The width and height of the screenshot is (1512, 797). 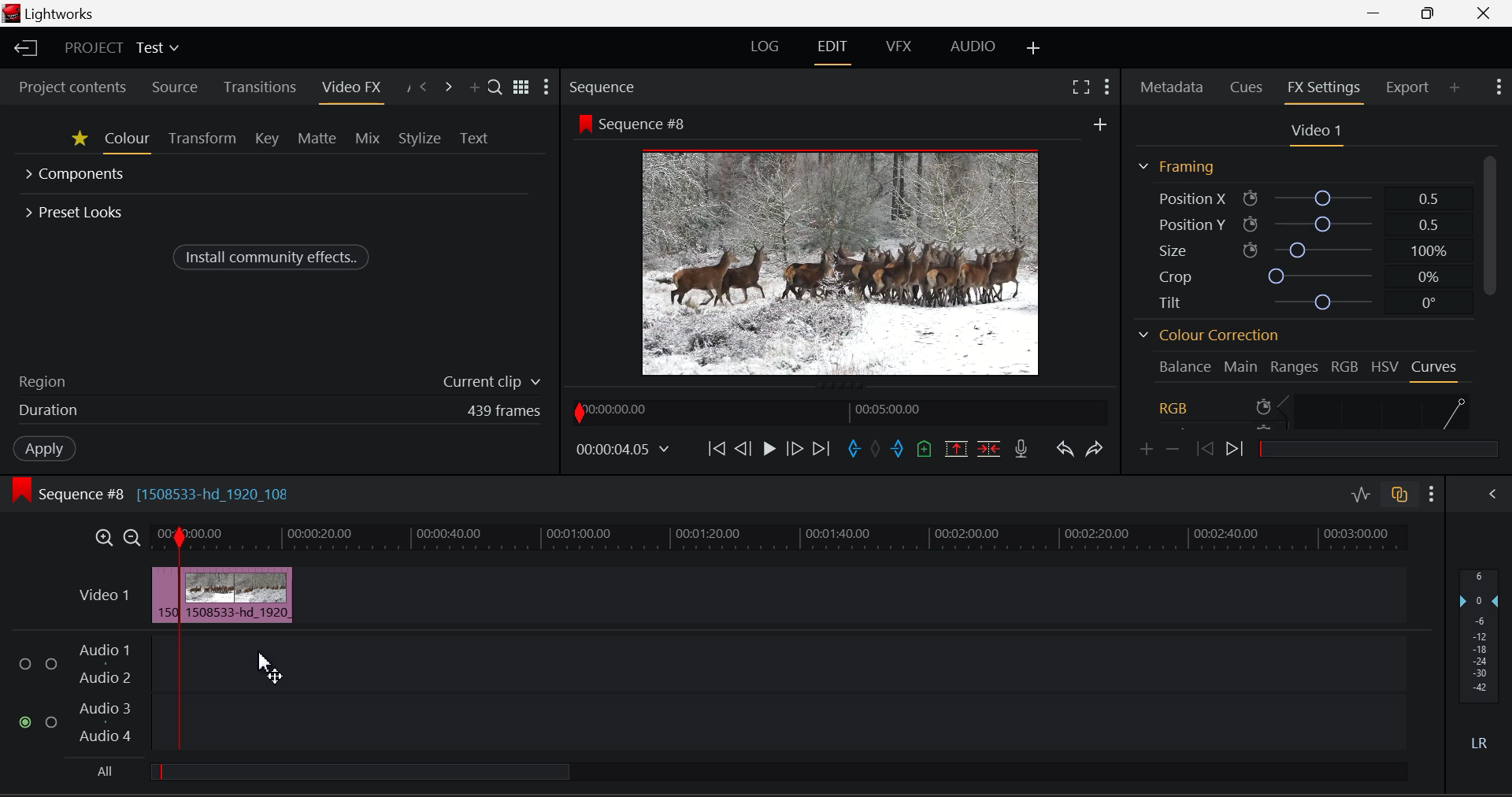 I want to click on show Settings, so click(x=1432, y=495).